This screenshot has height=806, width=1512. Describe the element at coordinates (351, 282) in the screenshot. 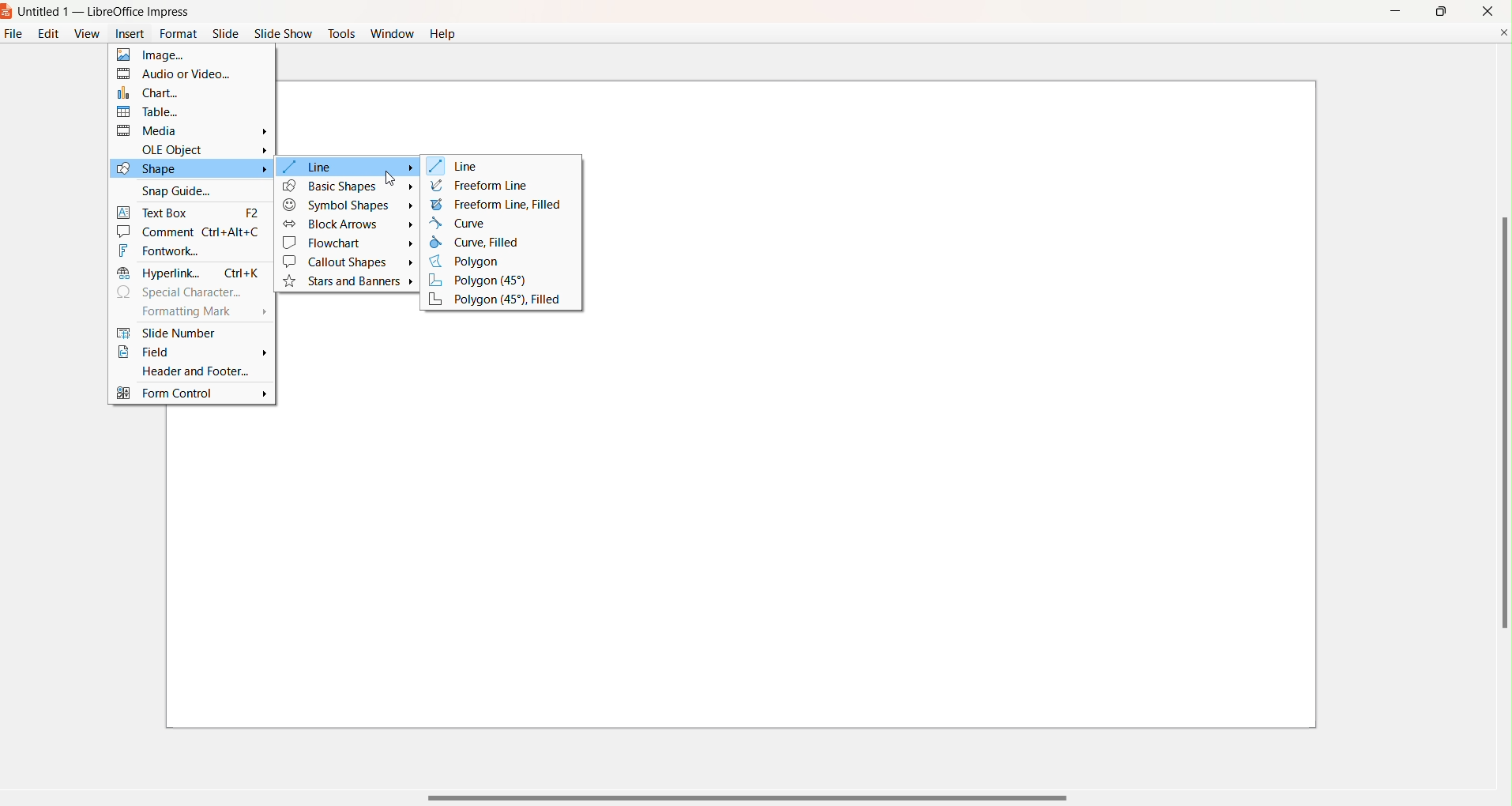

I see `Stars and Banners` at that location.